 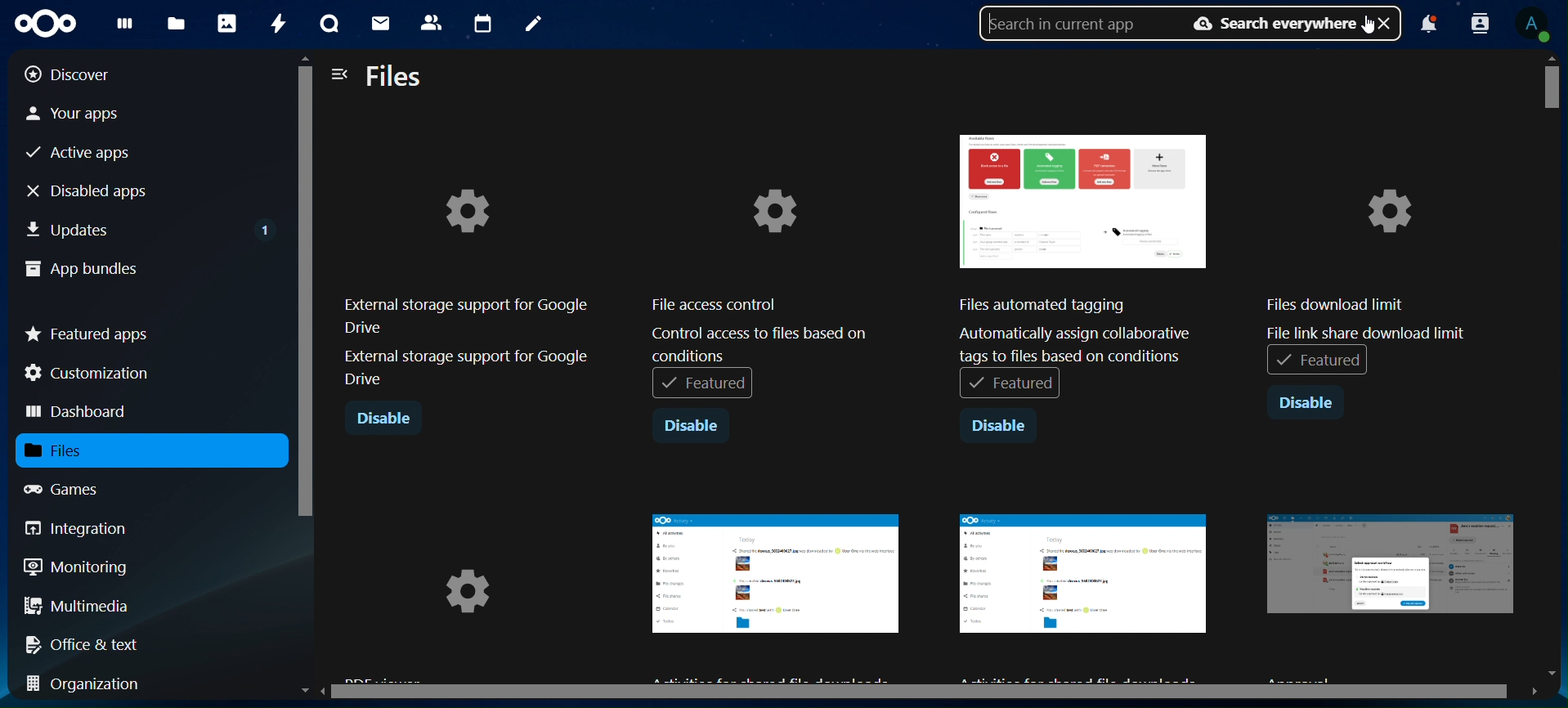 What do you see at coordinates (431, 21) in the screenshot?
I see `contacts` at bounding box center [431, 21].